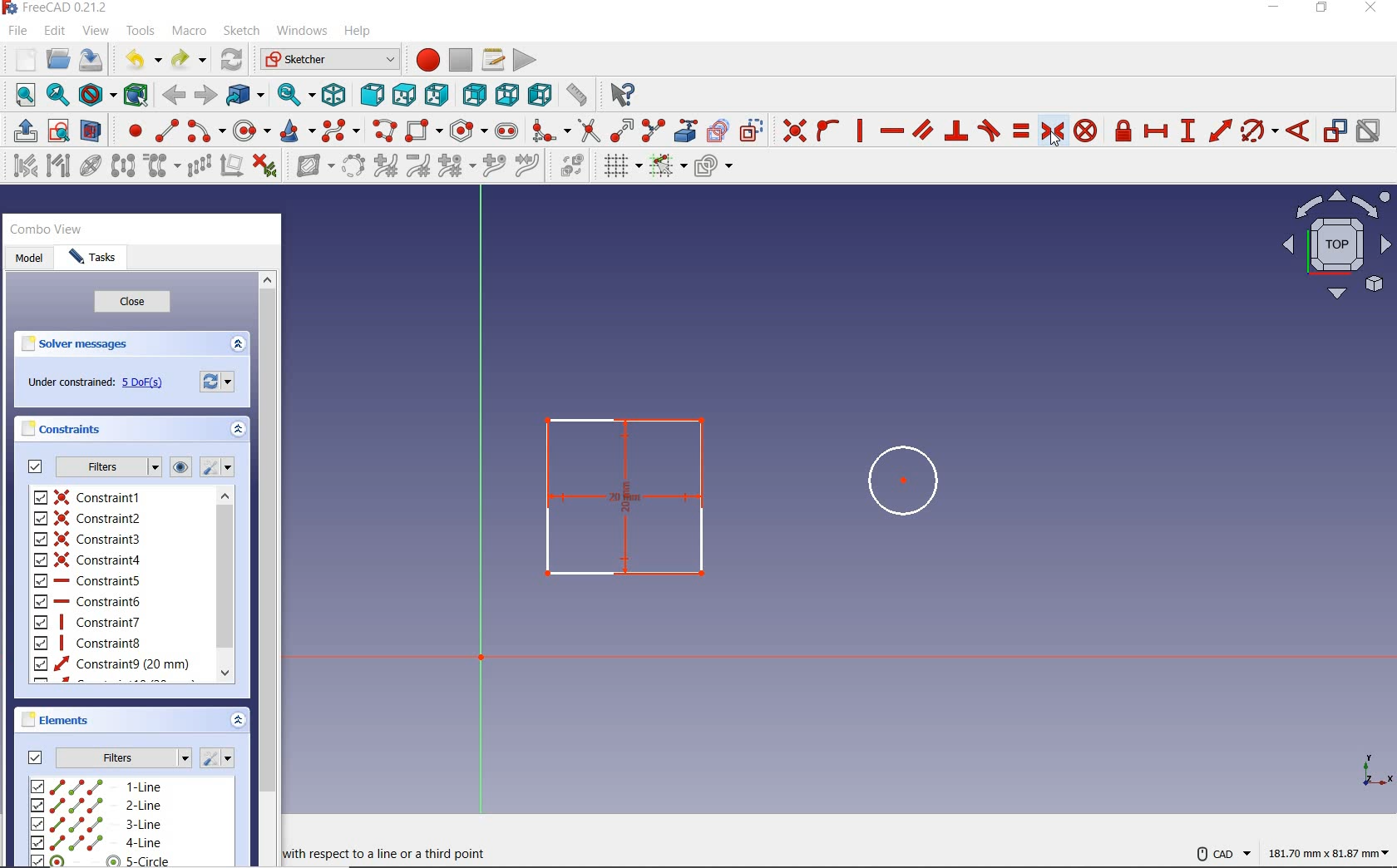 Image resolution: width=1397 pixels, height=868 pixels. I want to click on trim edge, so click(588, 131).